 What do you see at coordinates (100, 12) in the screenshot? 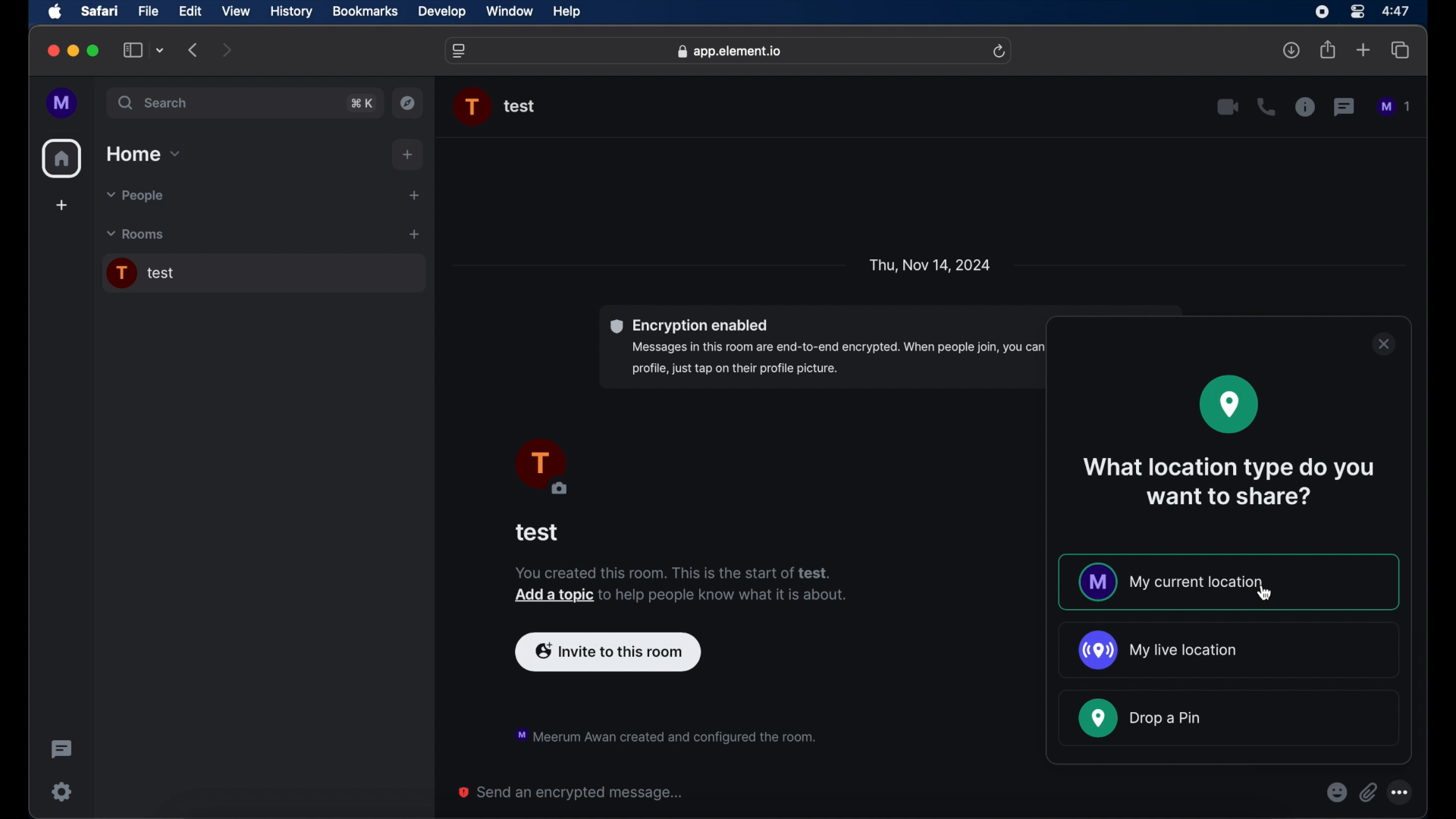
I see `safari` at bounding box center [100, 12].